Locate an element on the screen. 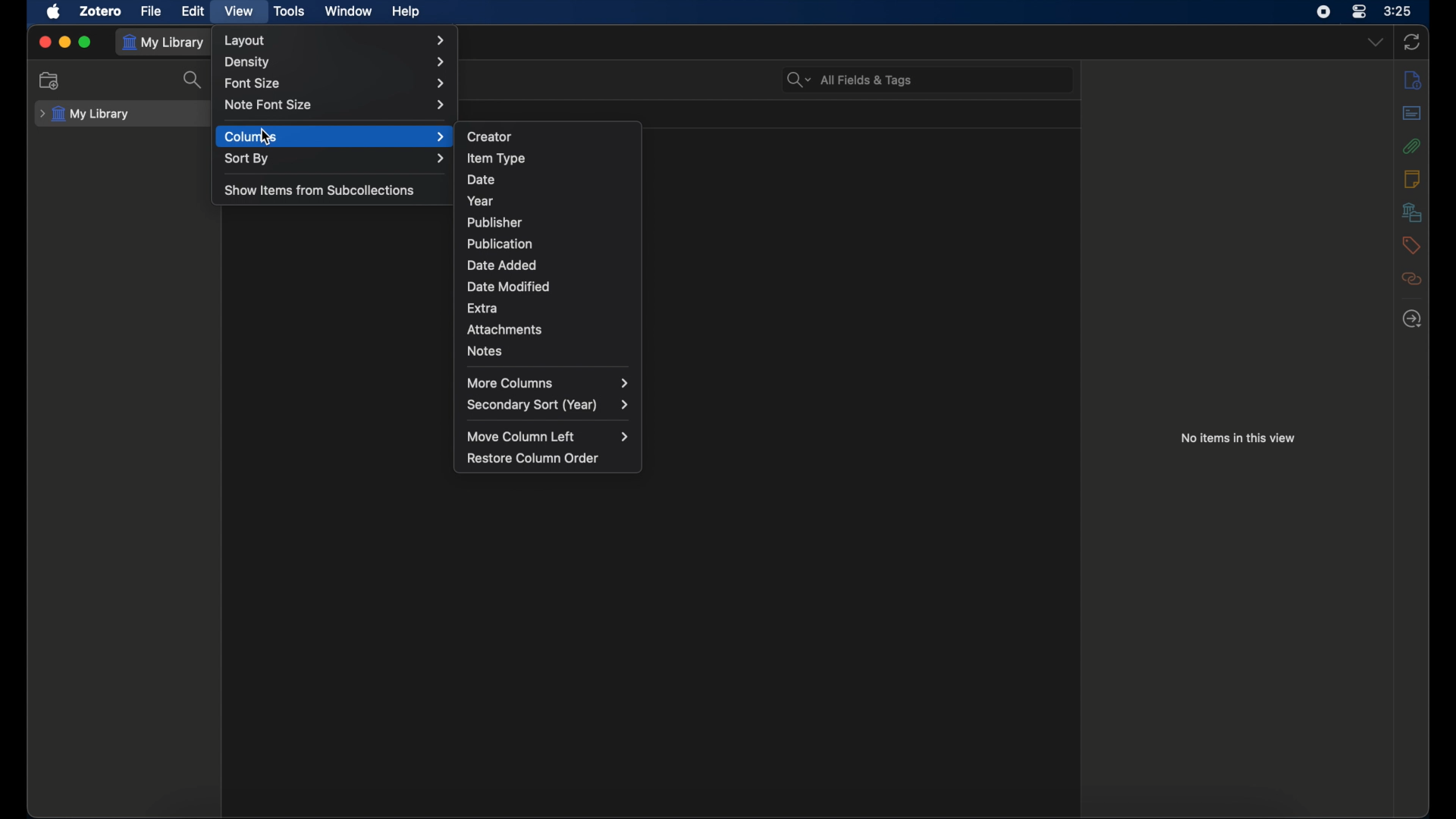 This screenshot has height=819, width=1456. close is located at coordinates (44, 42).